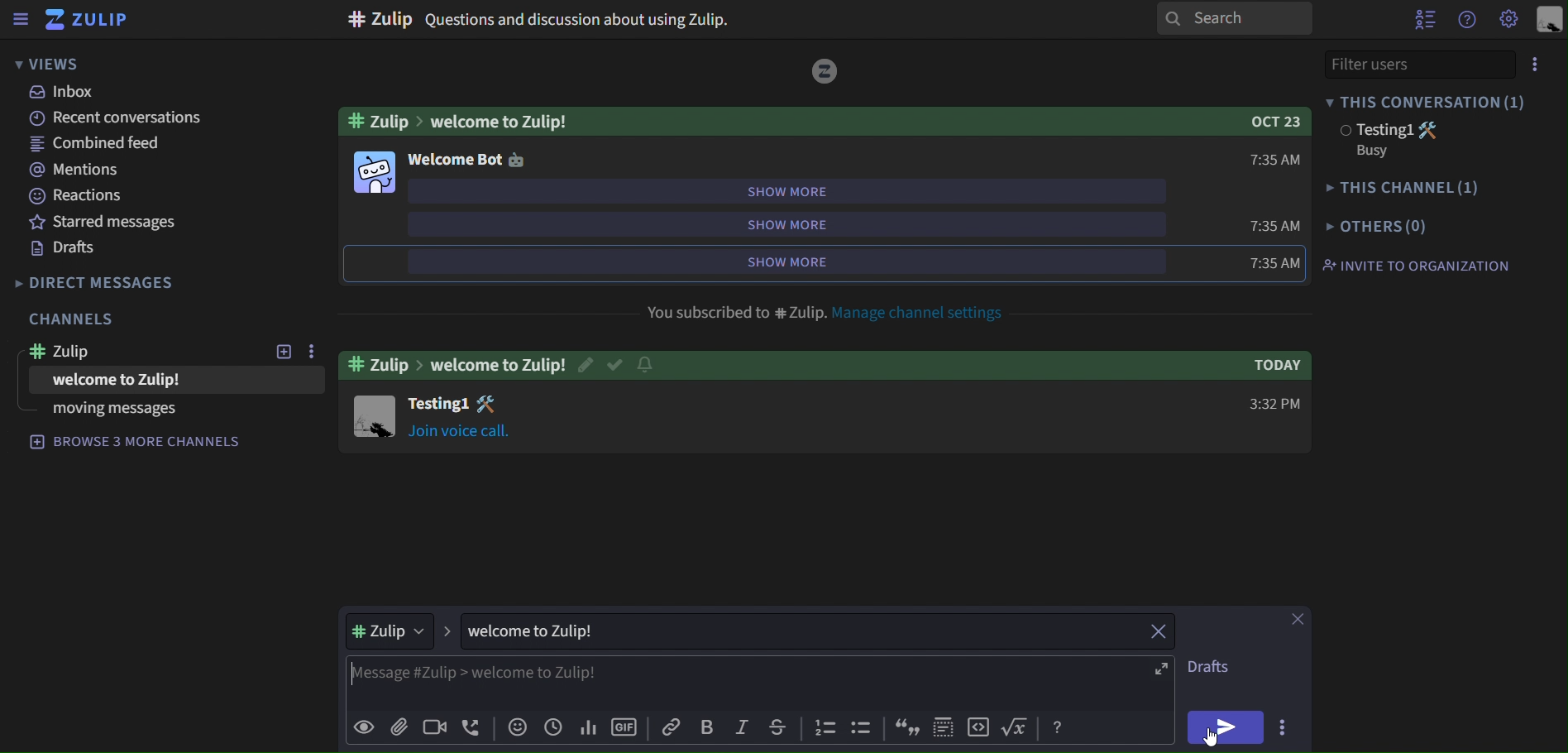 The width and height of the screenshot is (1568, 753). What do you see at coordinates (86, 171) in the screenshot?
I see `mentions` at bounding box center [86, 171].